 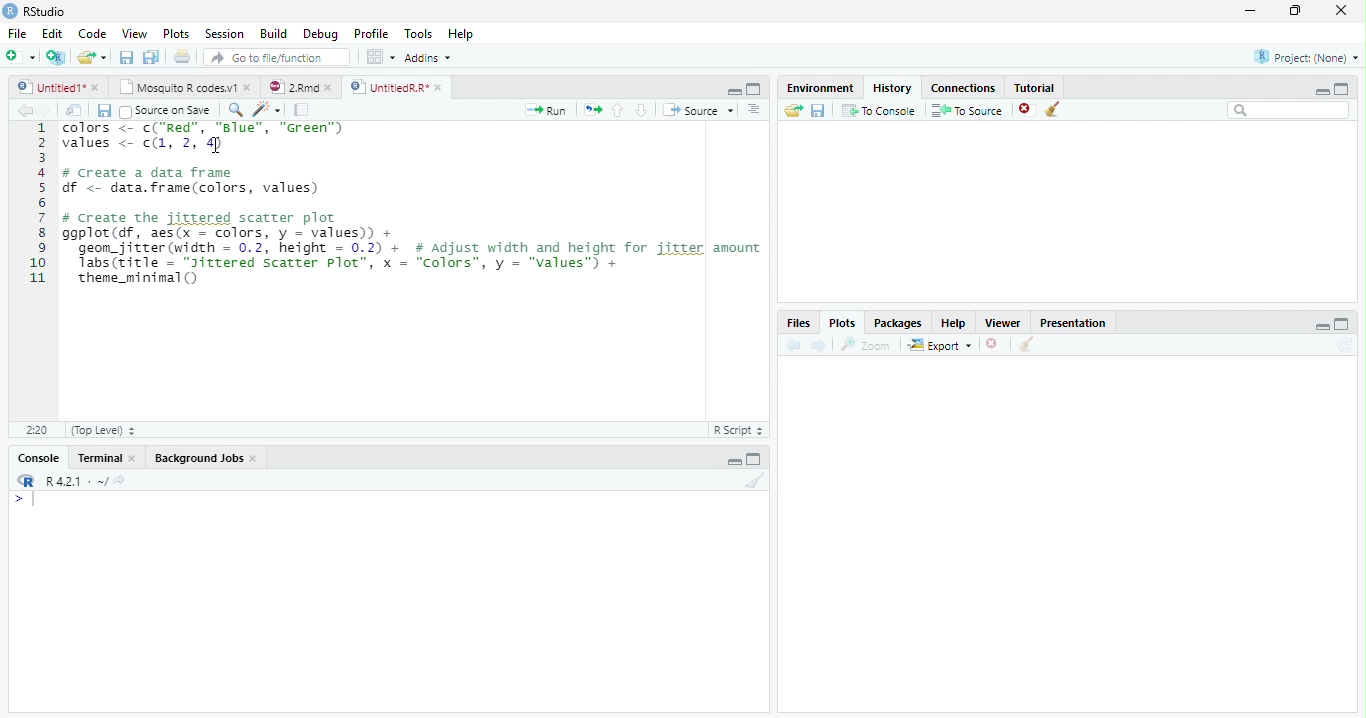 I want to click on Refresh current plot, so click(x=1345, y=345).